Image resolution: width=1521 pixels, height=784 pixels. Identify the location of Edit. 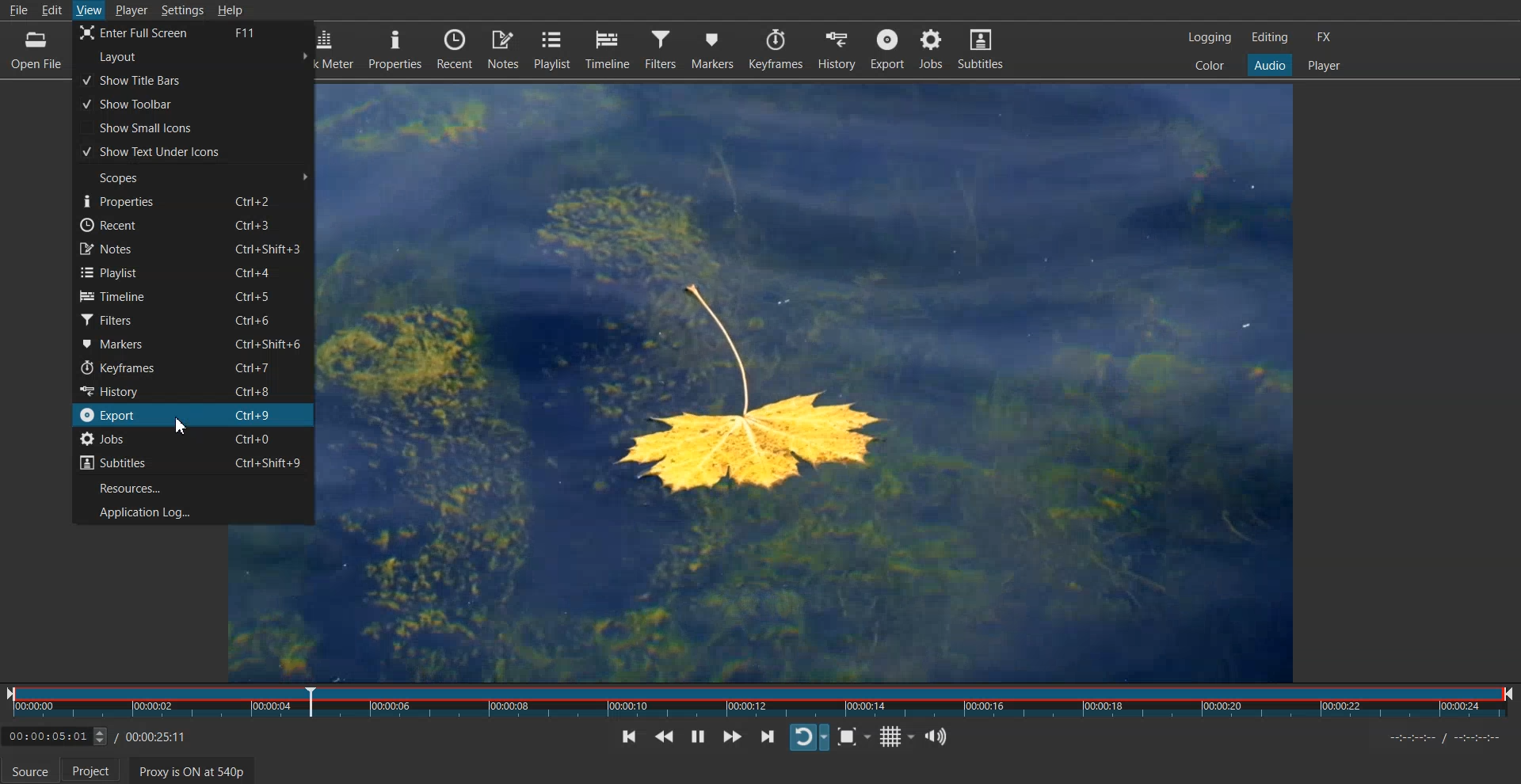
(54, 9).